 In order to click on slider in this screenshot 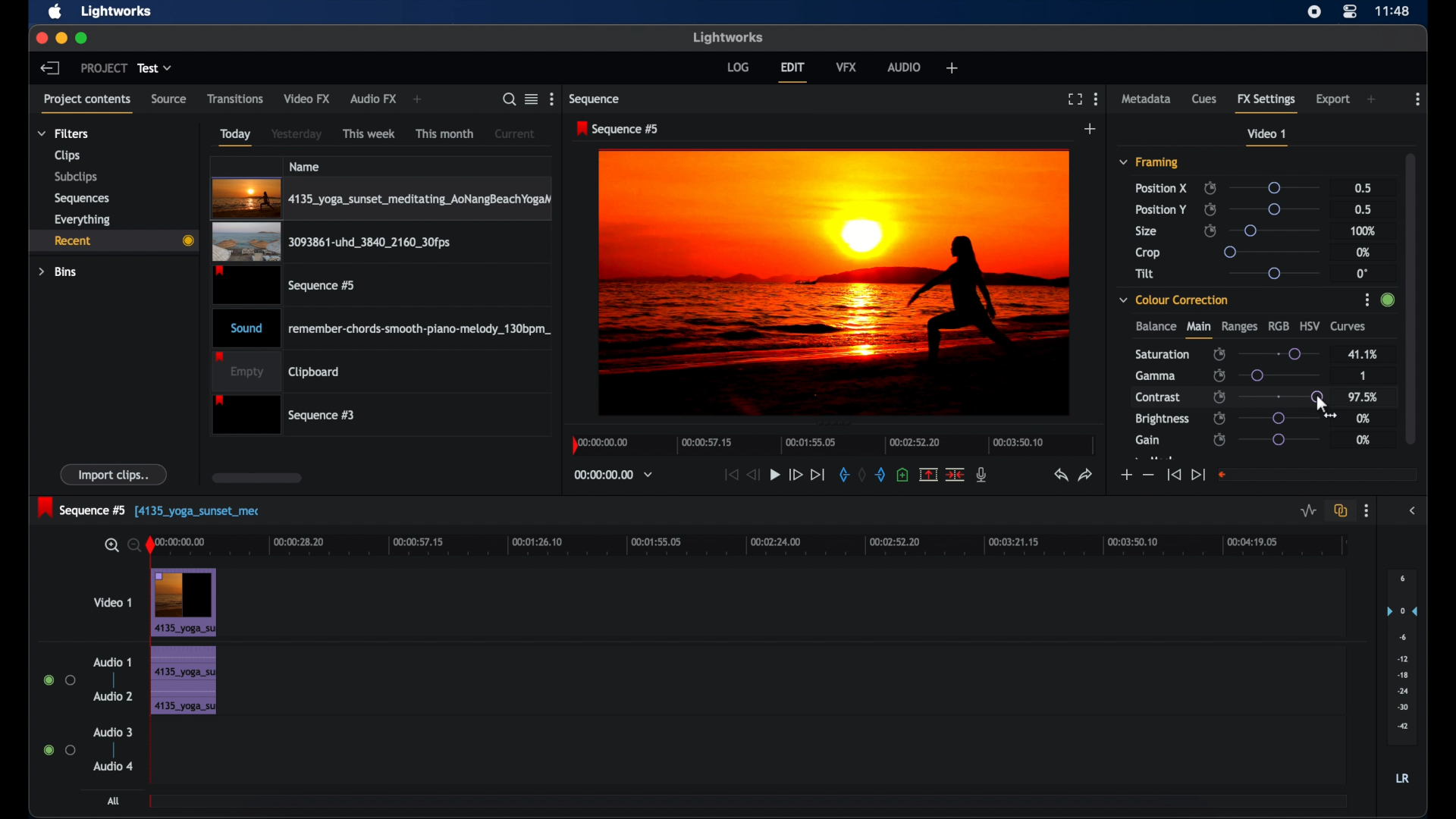, I will do `click(1284, 375)`.